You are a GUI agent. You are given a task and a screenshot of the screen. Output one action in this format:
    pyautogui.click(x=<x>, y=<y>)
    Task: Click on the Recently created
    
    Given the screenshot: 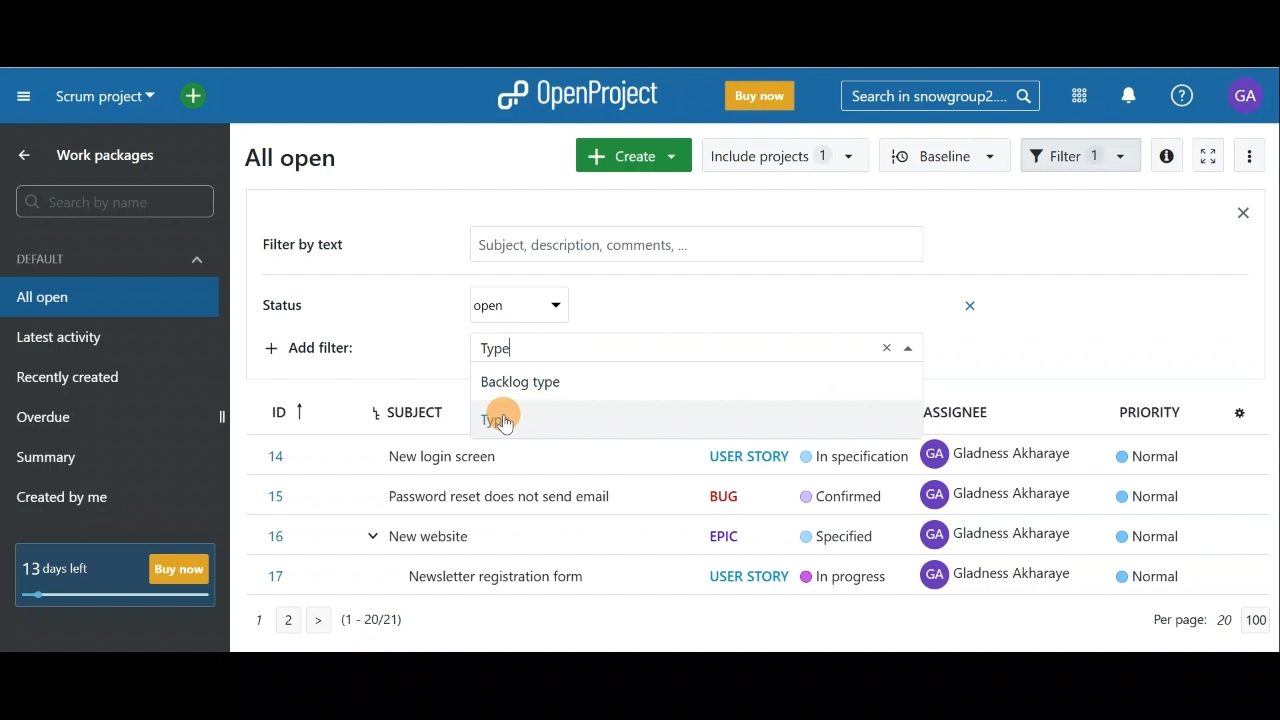 What is the action you would take?
    pyautogui.click(x=71, y=380)
    